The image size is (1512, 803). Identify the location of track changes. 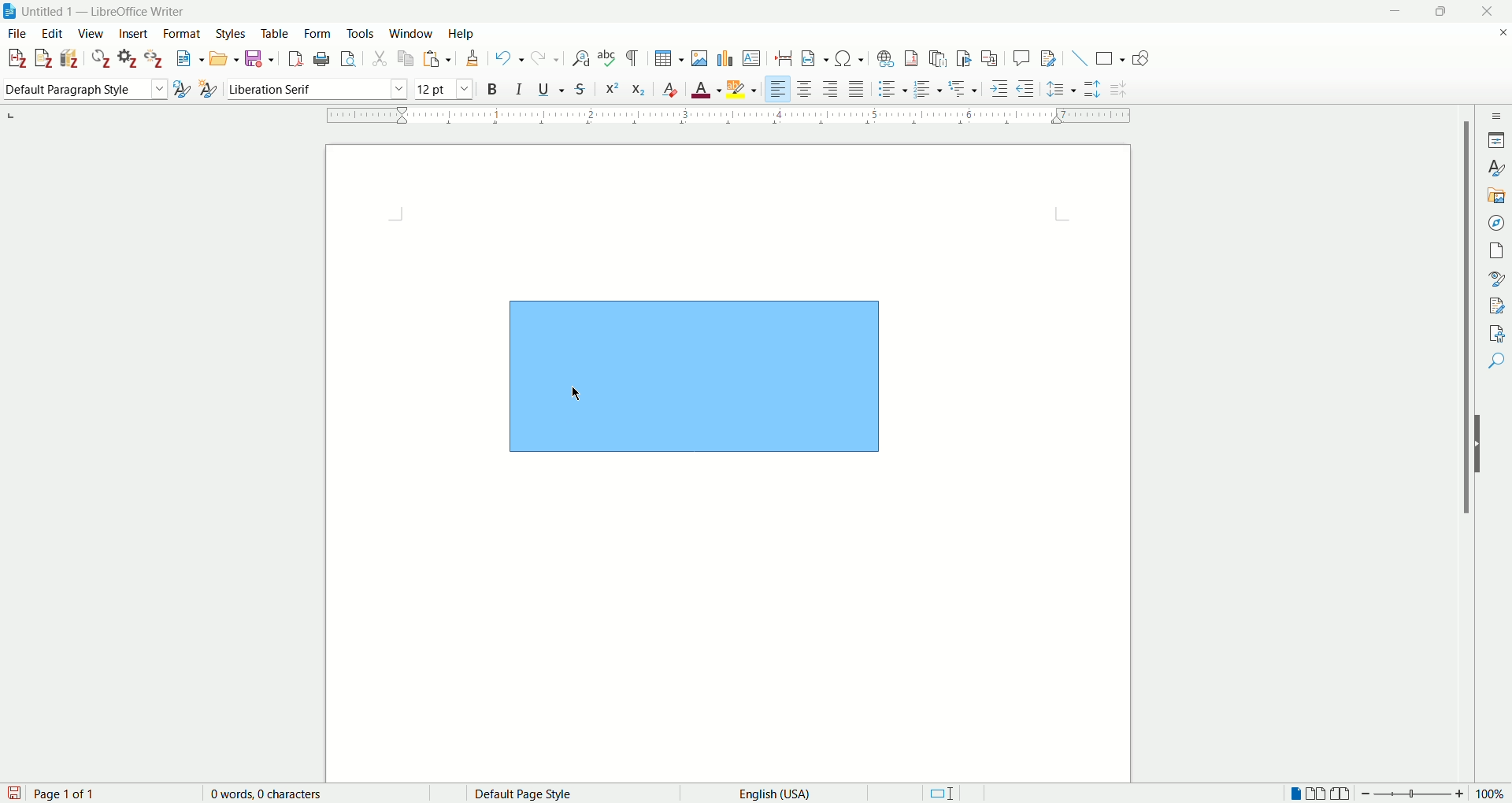
(1052, 57).